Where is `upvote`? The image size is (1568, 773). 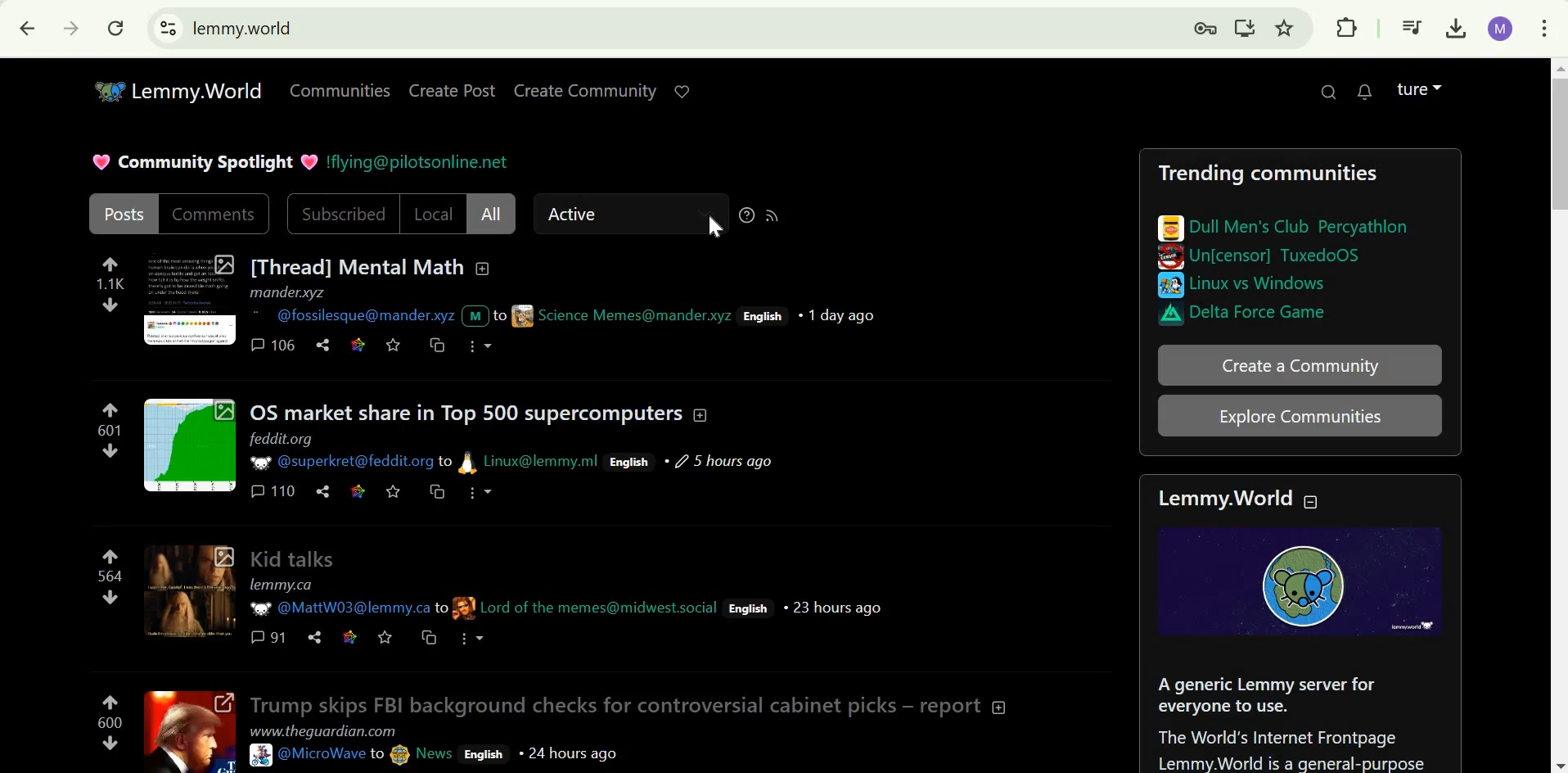 upvote is located at coordinates (110, 701).